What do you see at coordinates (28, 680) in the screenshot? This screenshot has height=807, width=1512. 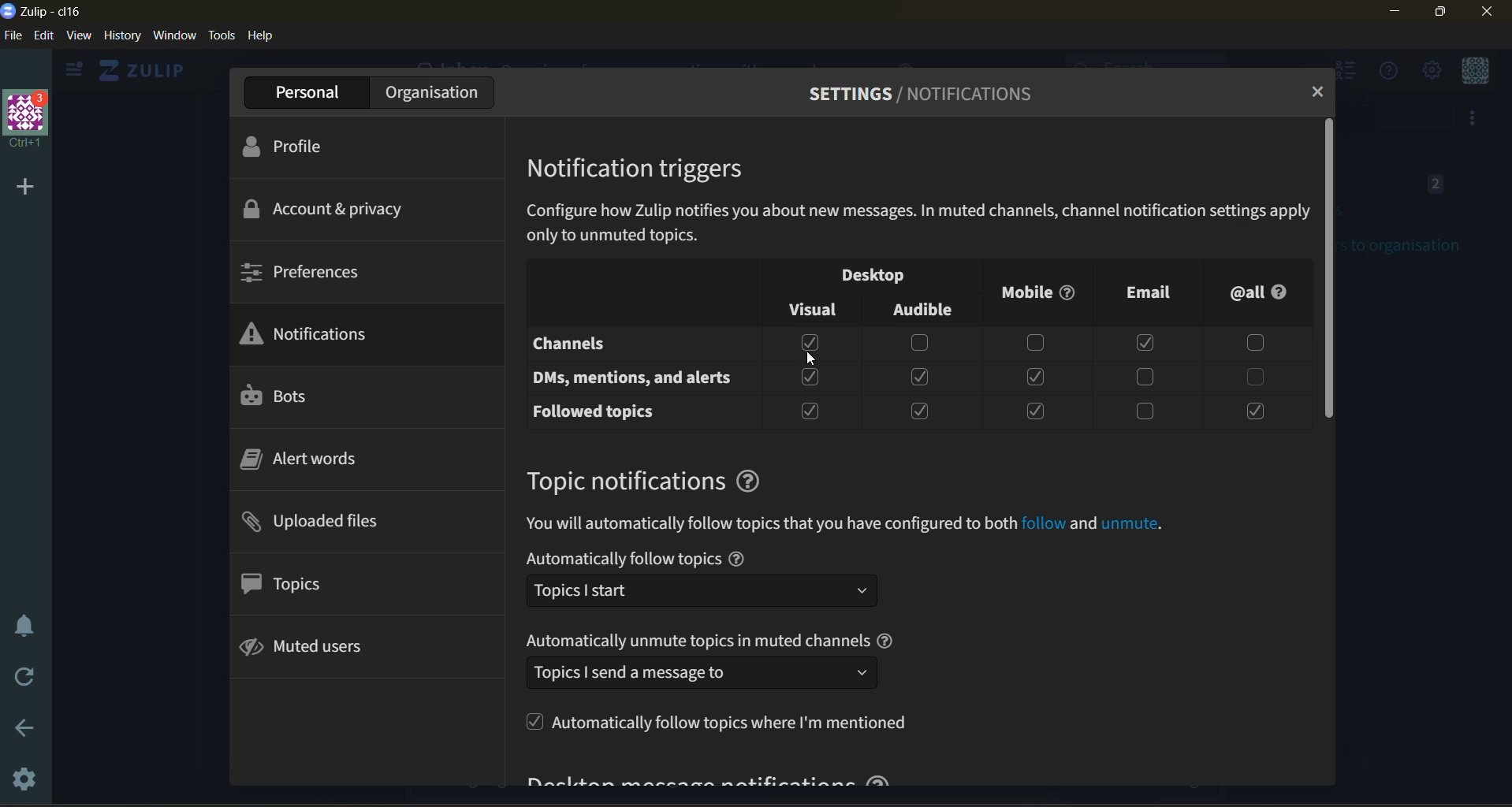 I see `reload` at bounding box center [28, 680].